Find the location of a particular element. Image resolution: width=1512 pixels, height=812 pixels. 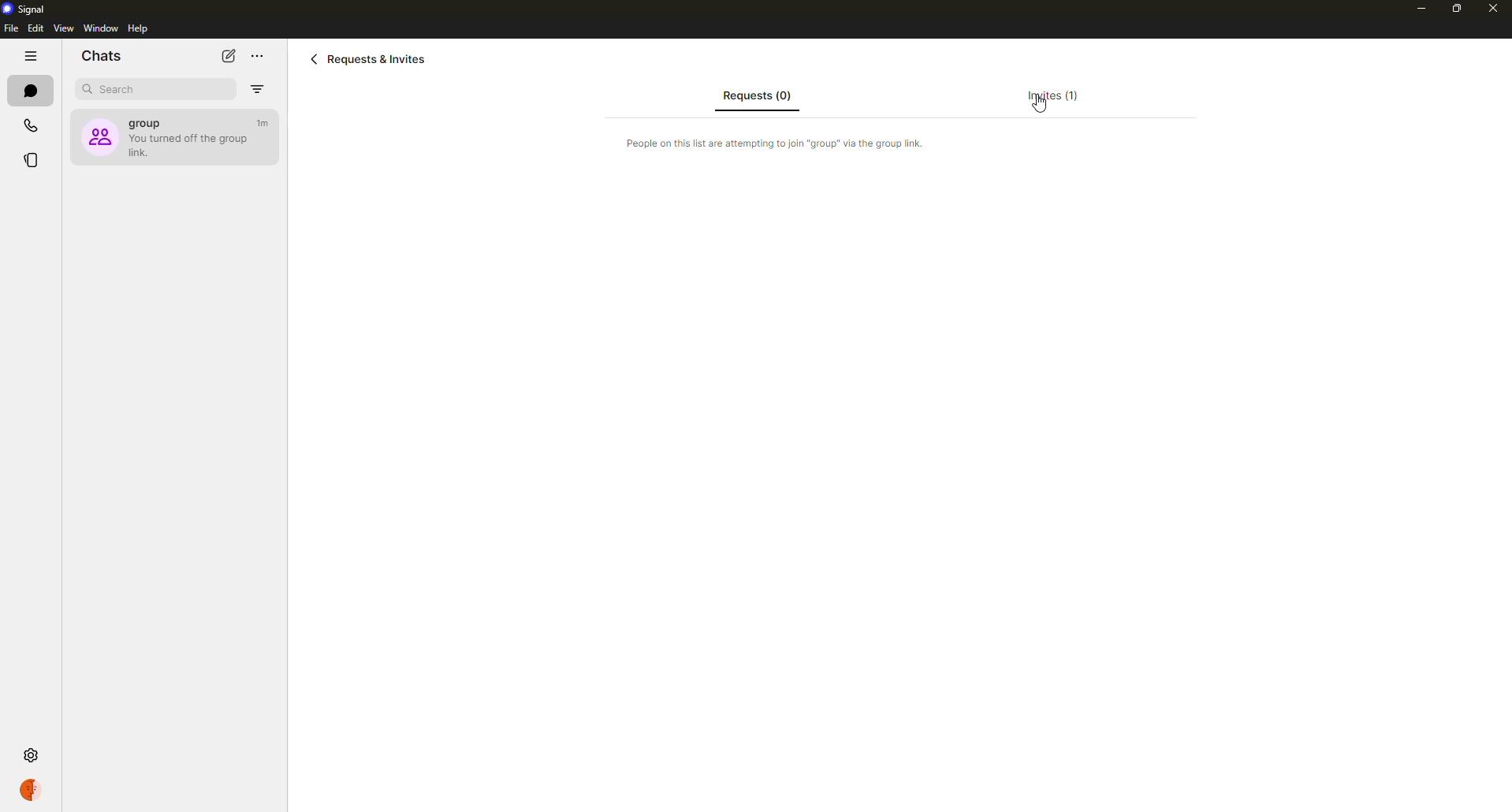

minimize is located at coordinates (1413, 8).